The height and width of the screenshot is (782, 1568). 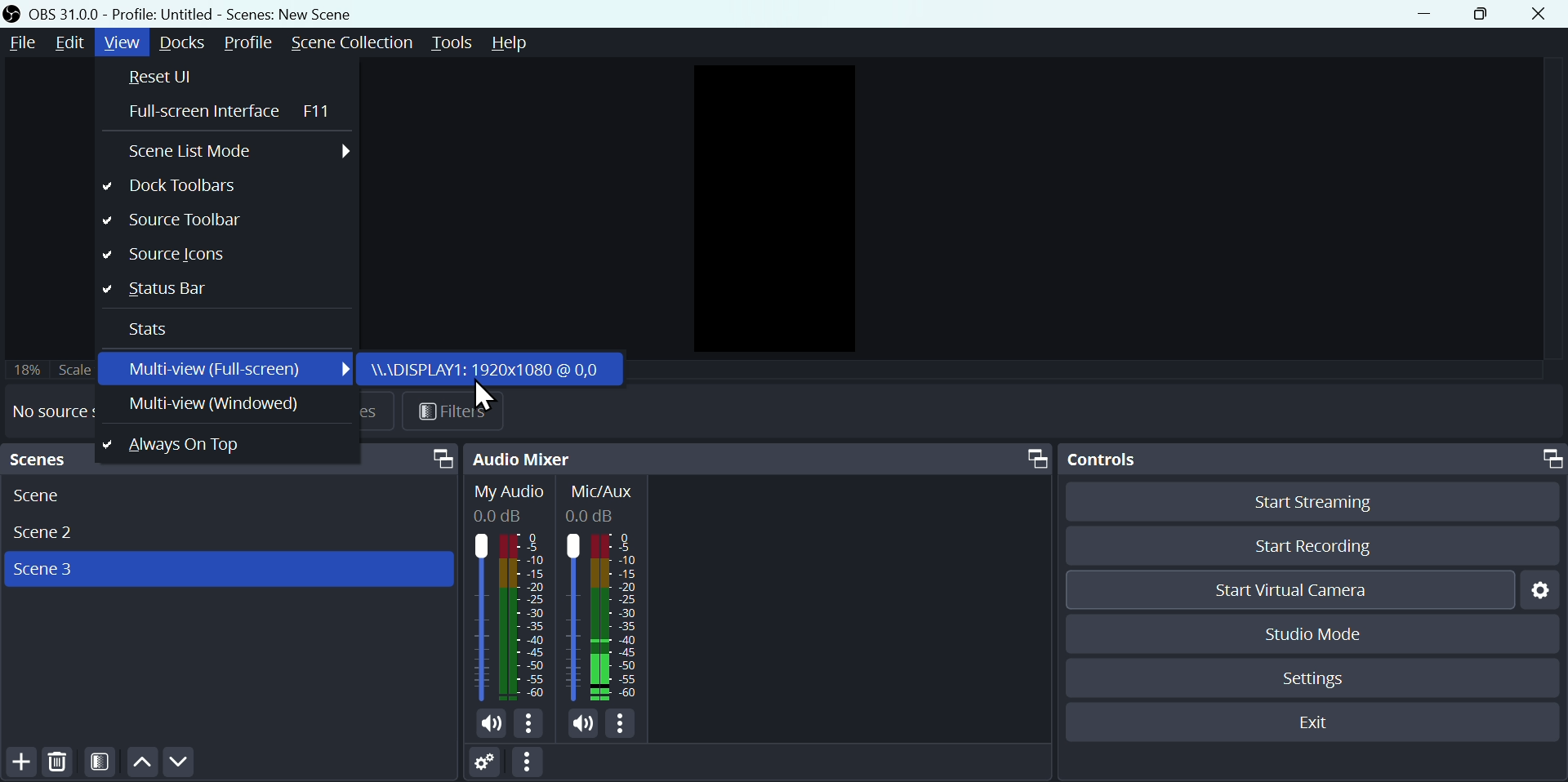 What do you see at coordinates (625, 725) in the screenshot?
I see `More options` at bounding box center [625, 725].